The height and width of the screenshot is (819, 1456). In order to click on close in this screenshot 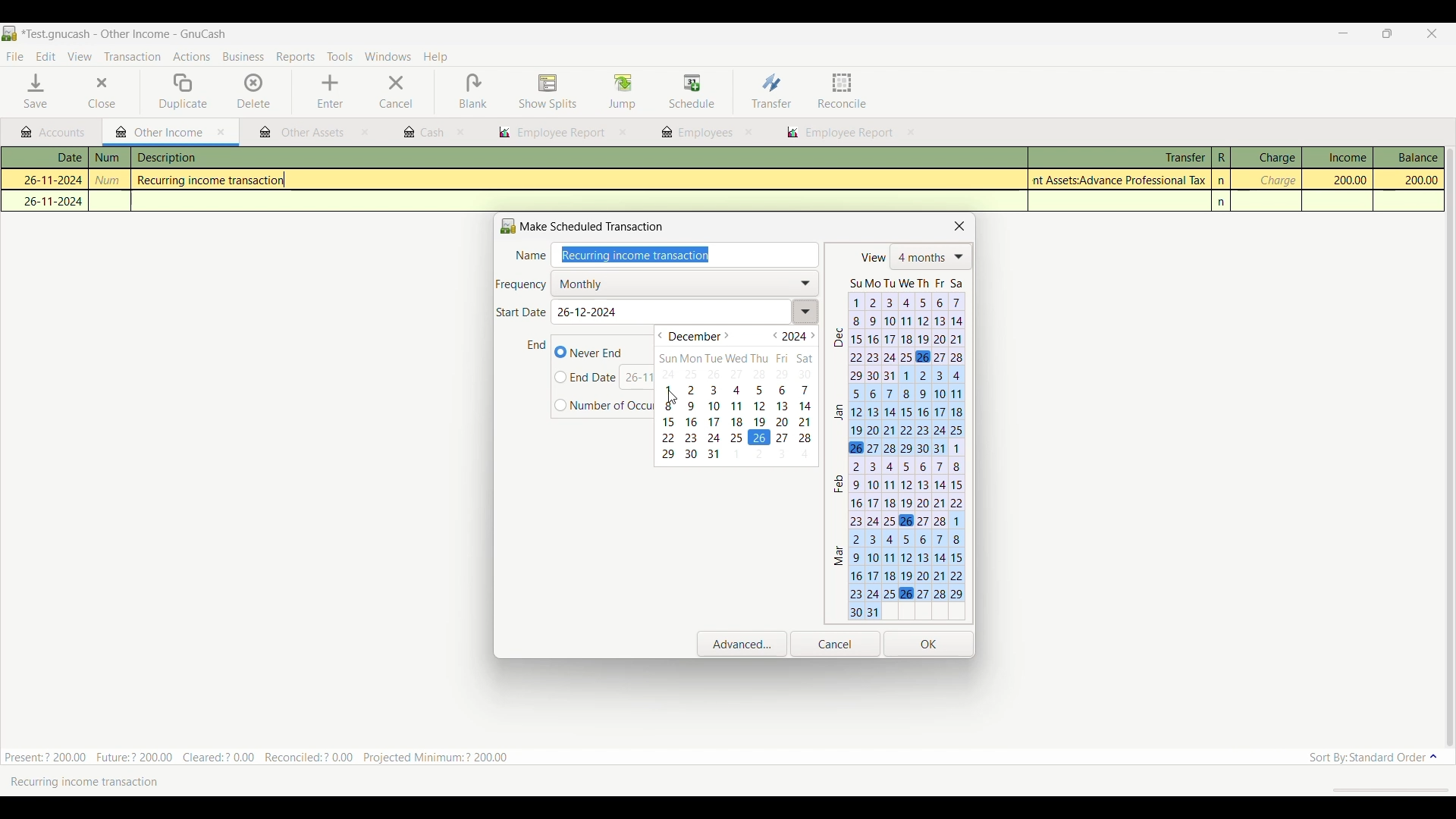, I will do `click(365, 134)`.